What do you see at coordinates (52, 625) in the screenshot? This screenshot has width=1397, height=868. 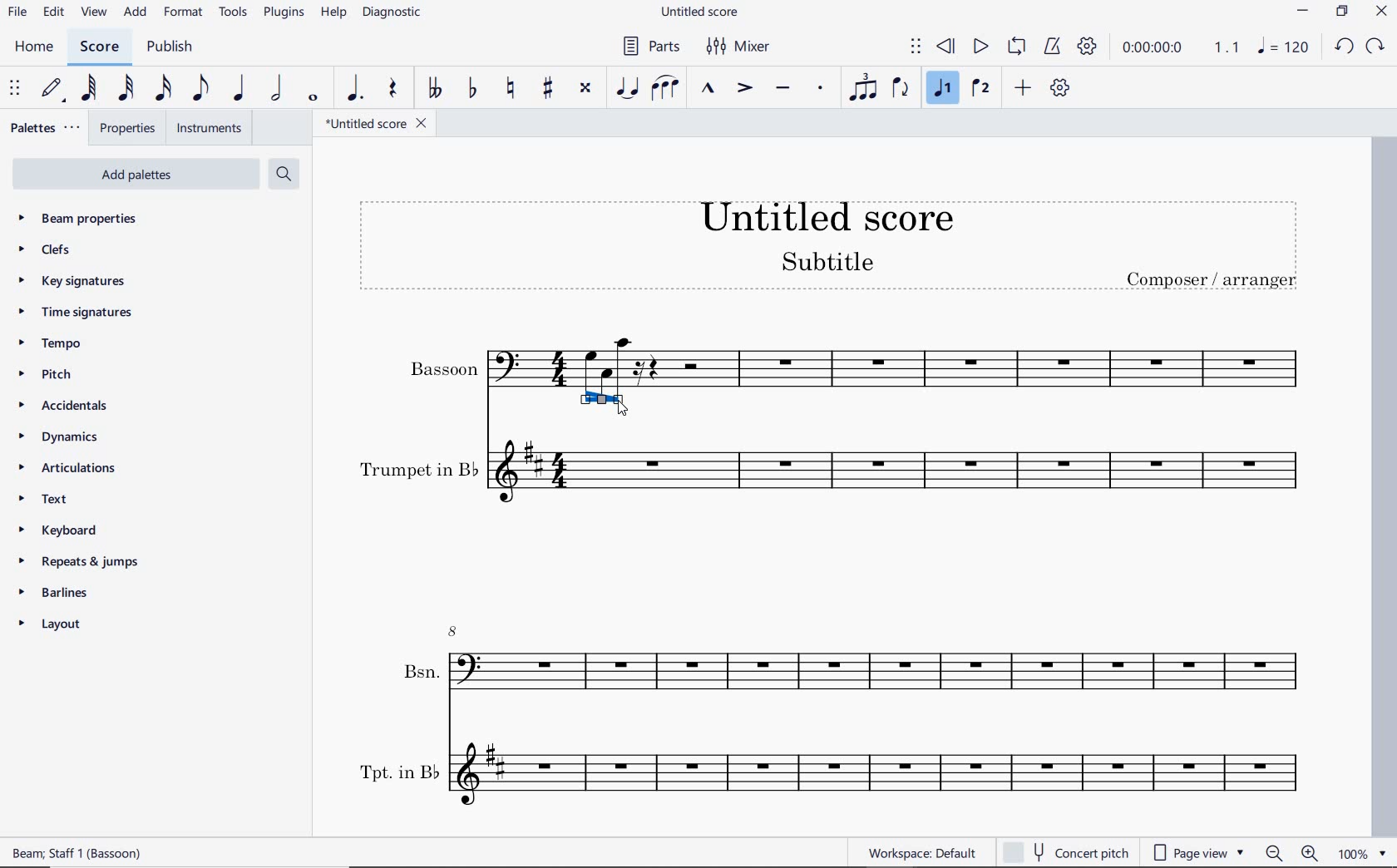 I see `layout` at bounding box center [52, 625].